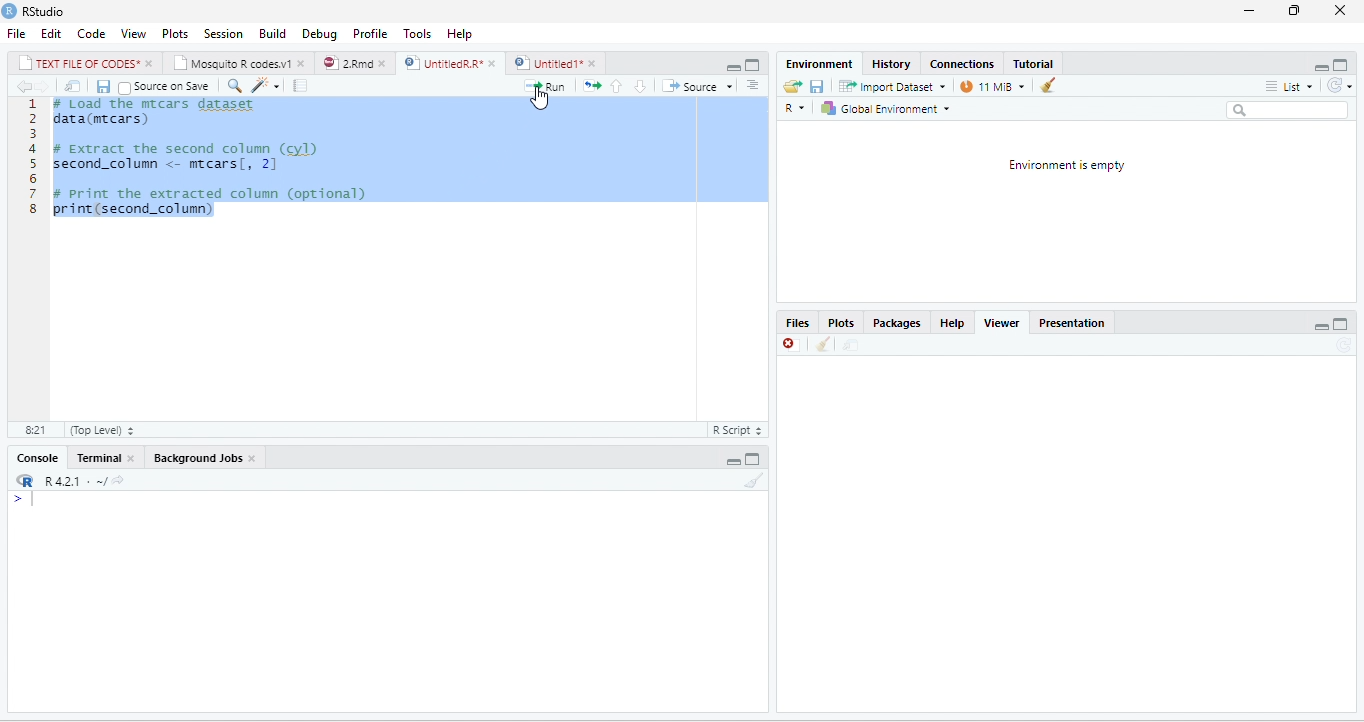 This screenshot has width=1364, height=722. I want to click on 5, so click(32, 163).